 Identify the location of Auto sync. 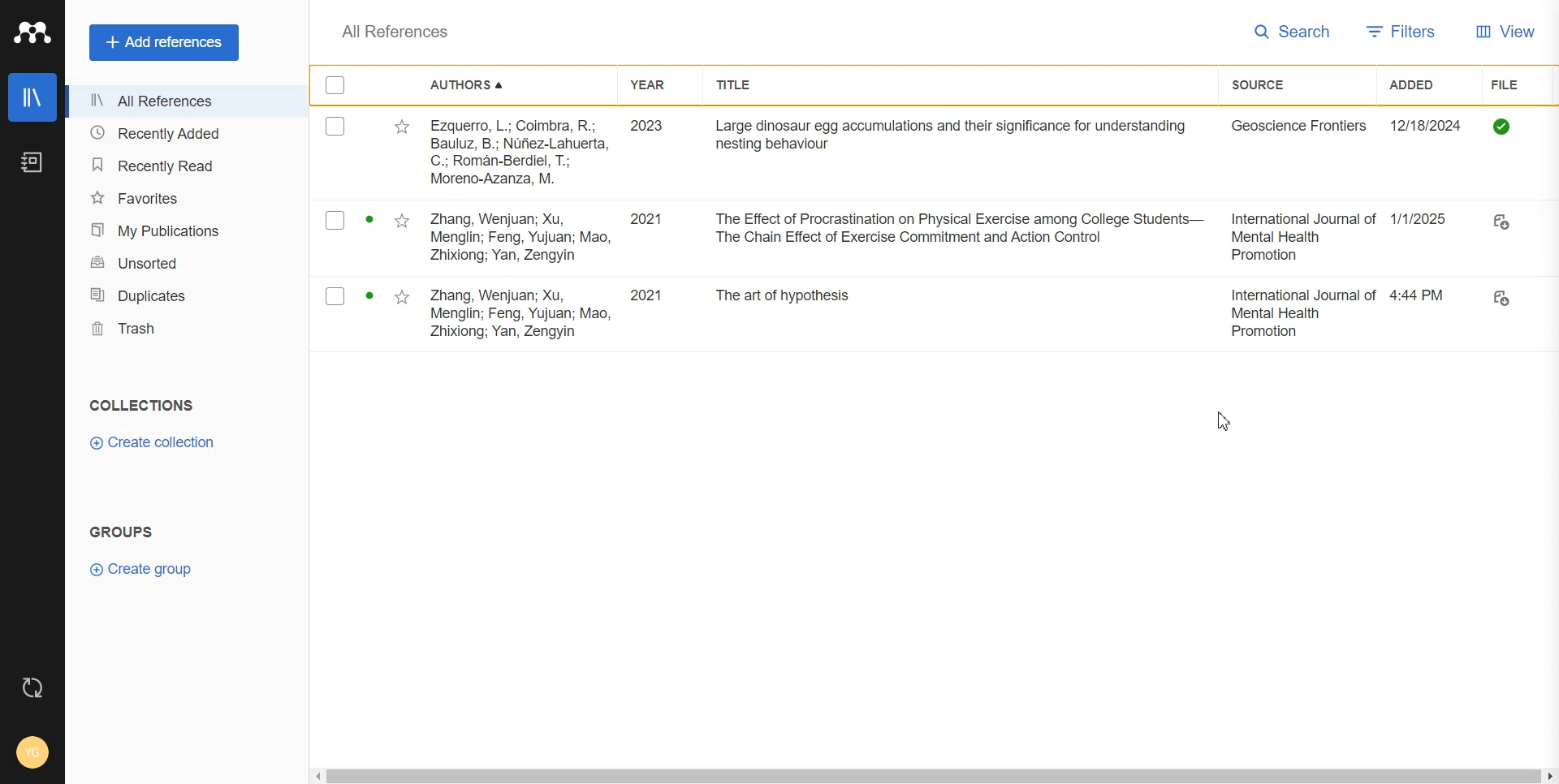
(31, 687).